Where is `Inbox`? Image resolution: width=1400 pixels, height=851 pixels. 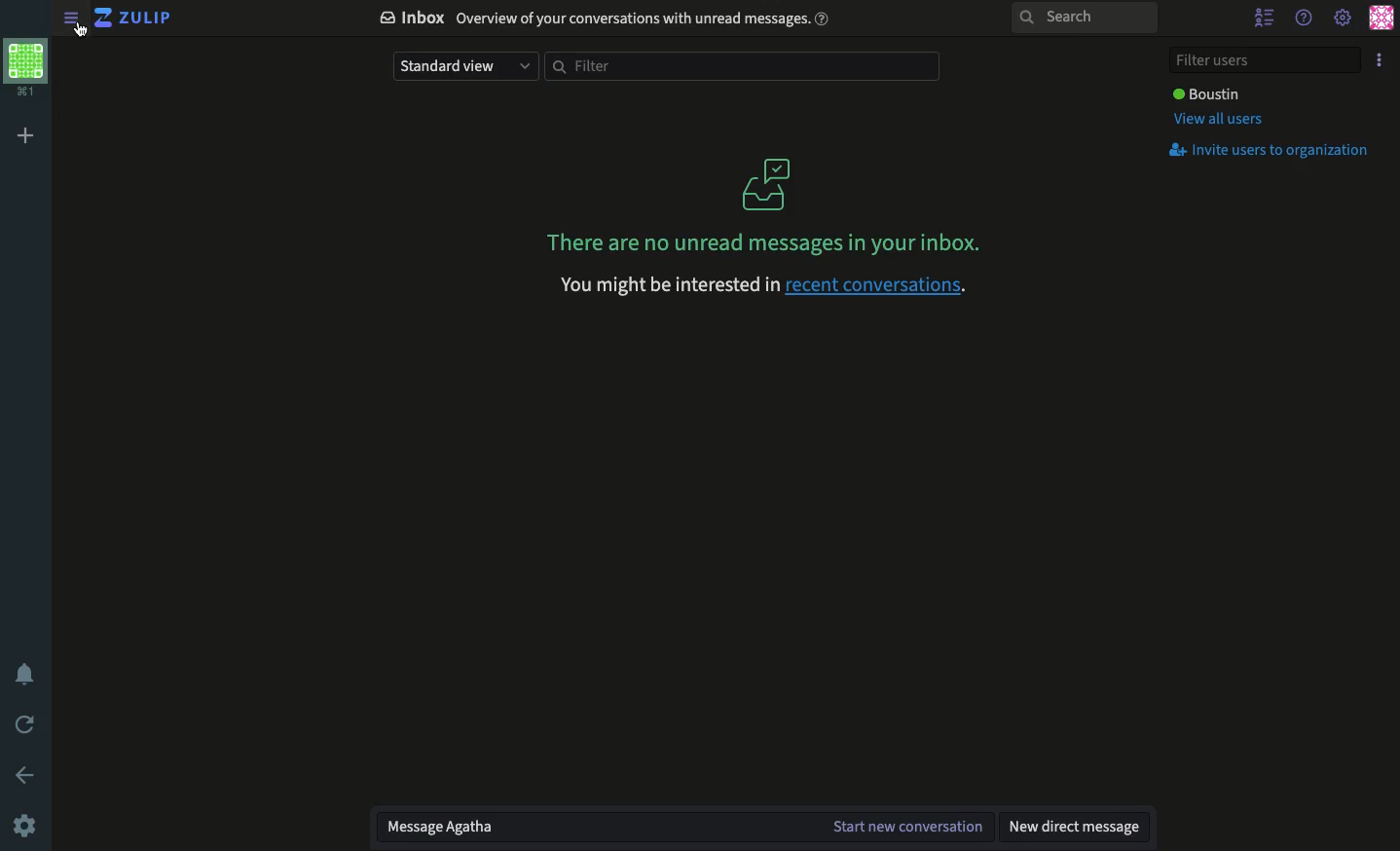
Inbox is located at coordinates (608, 20).